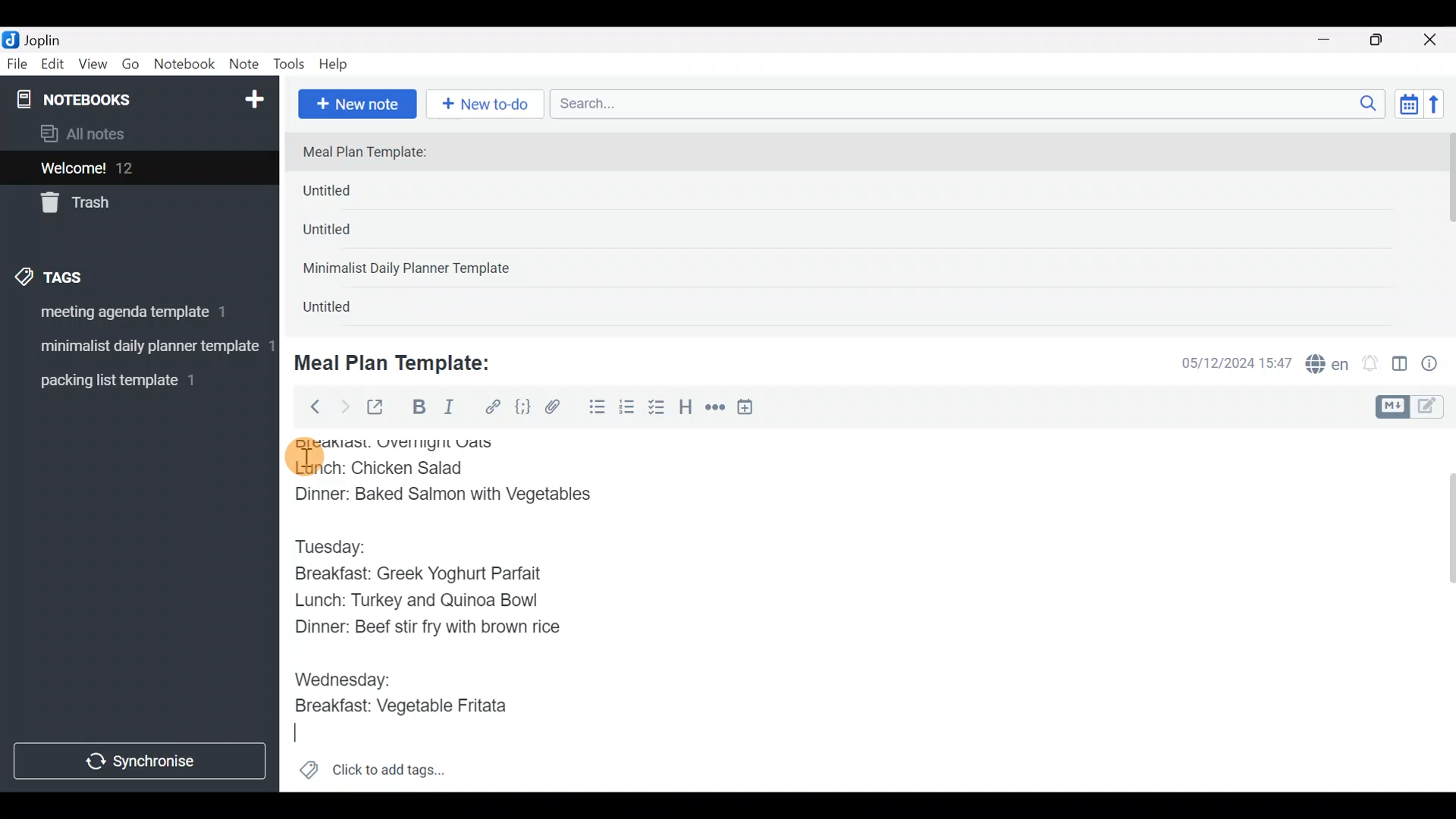 The image size is (1456, 819). I want to click on Lunch: Turkey and Quinoa Bowl, so click(421, 600).